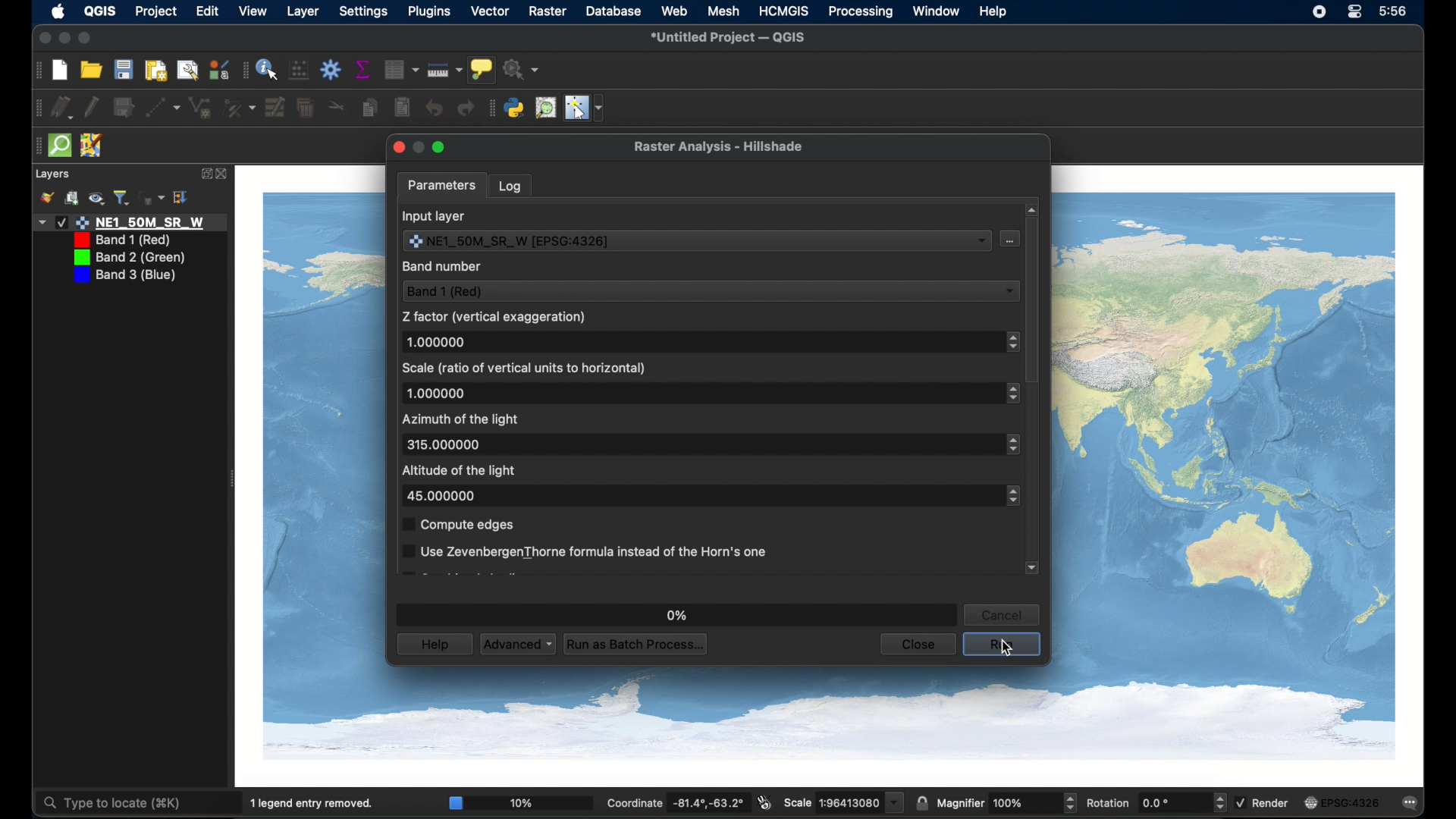 This screenshot has width=1456, height=819. I want to click on control center, so click(1356, 13).